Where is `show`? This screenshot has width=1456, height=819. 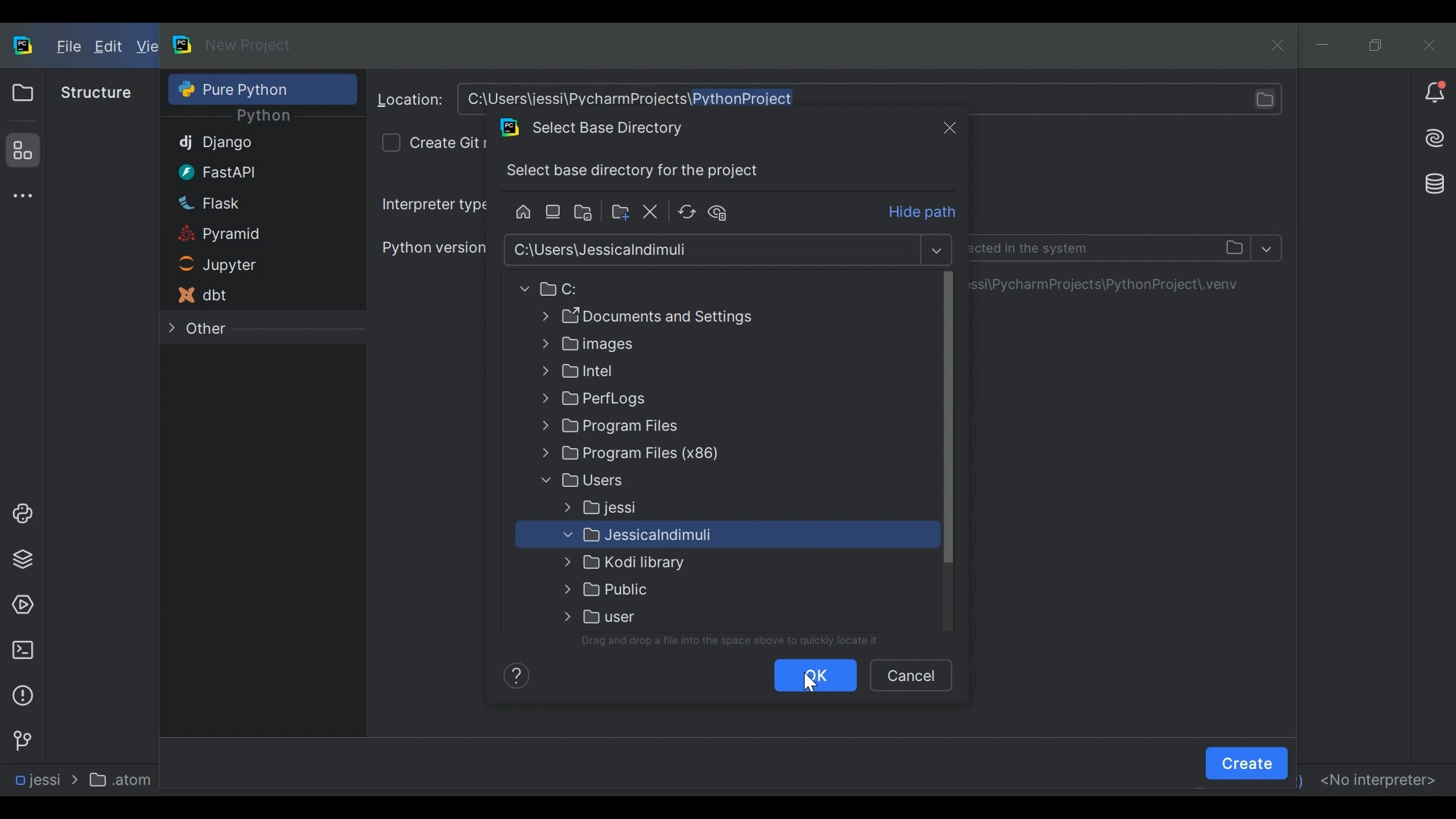
show is located at coordinates (1267, 249).